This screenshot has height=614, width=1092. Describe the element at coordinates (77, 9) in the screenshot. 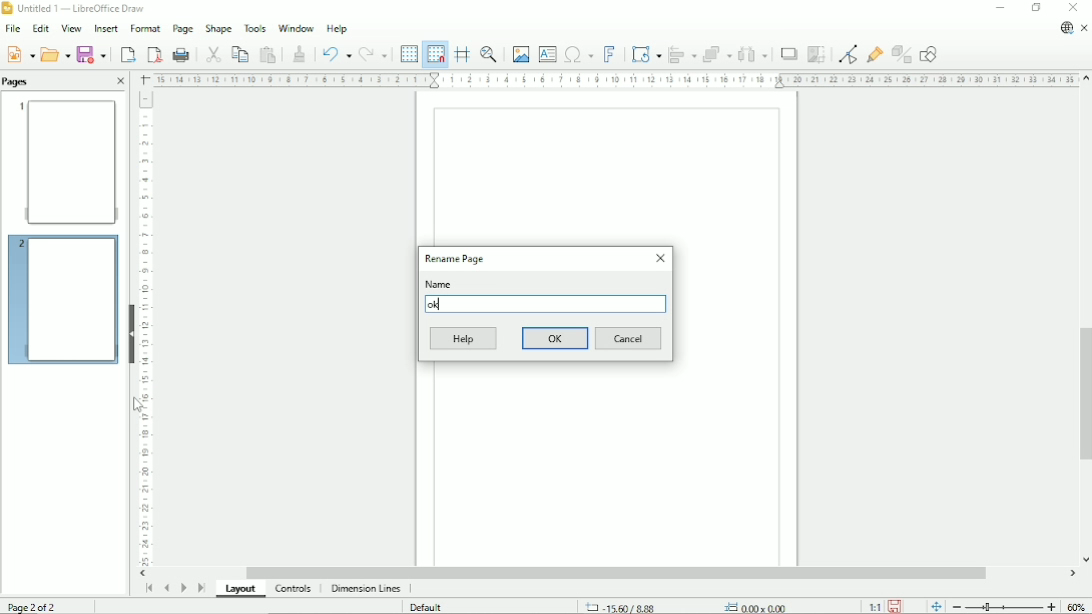

I see `Title` at that location.